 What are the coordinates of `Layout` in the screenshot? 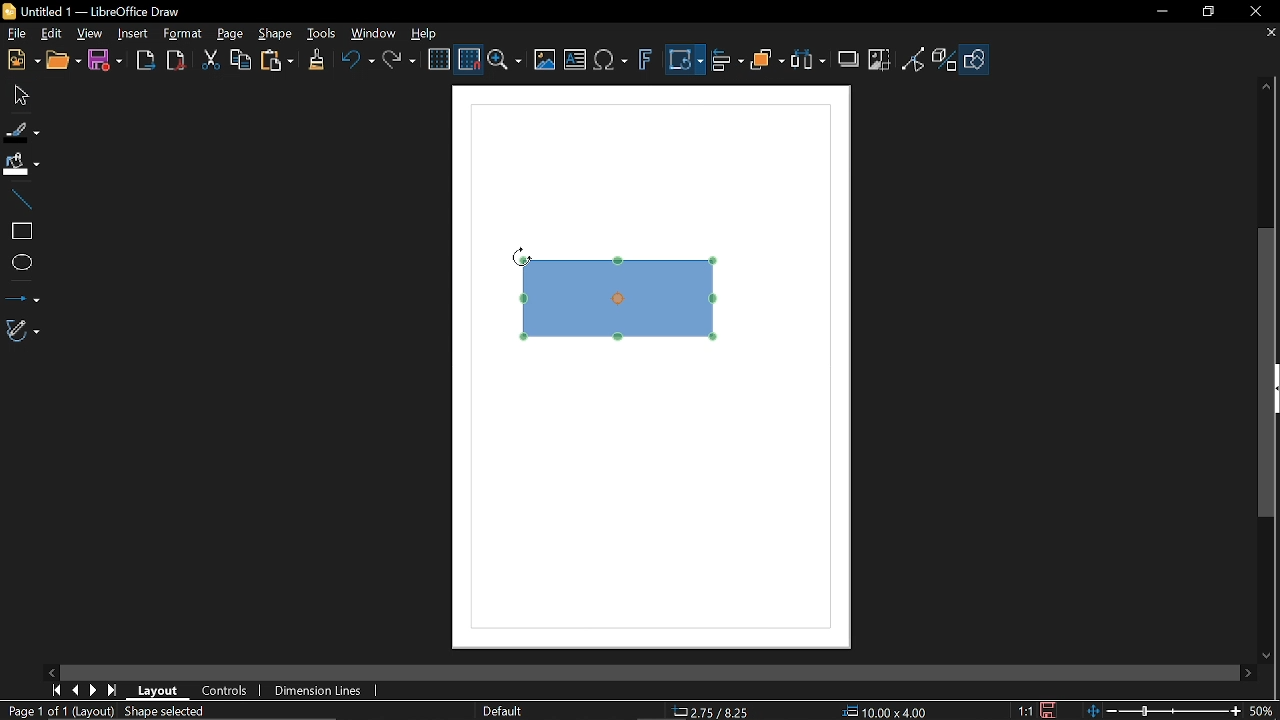 It's located at (158, 689).